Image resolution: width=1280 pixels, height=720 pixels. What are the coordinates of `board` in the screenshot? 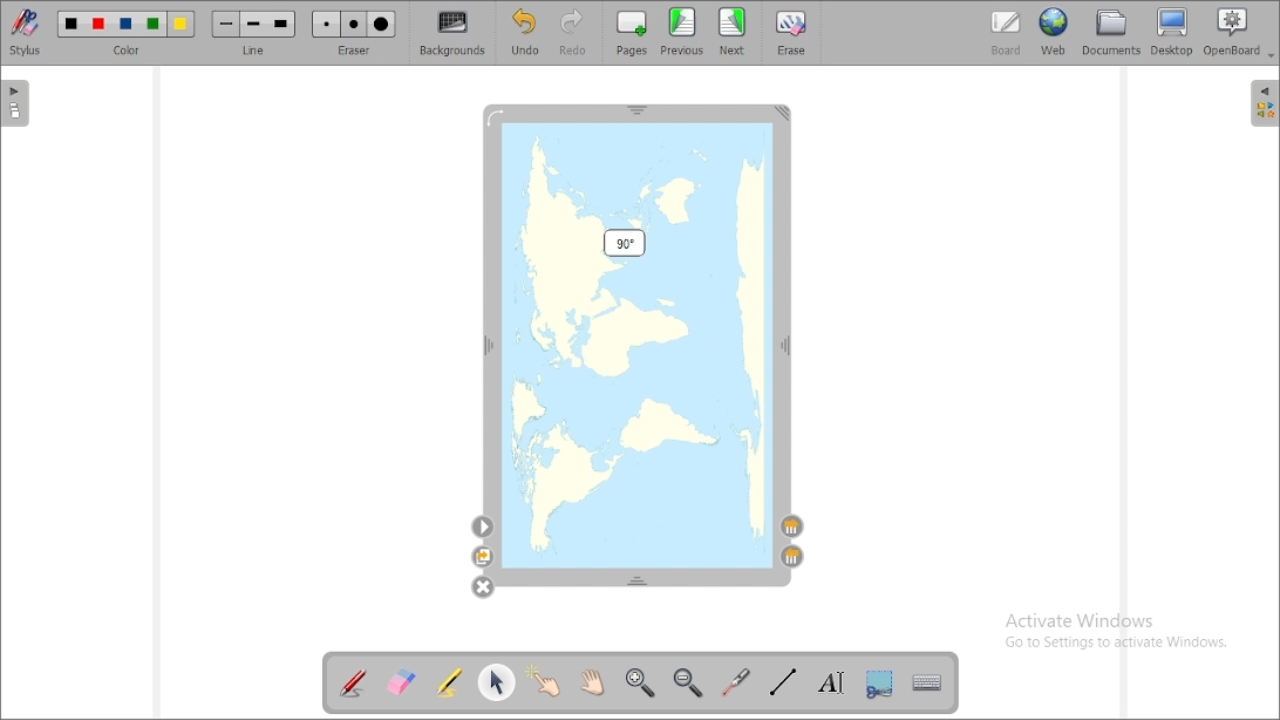 It's located at (1006, 33).